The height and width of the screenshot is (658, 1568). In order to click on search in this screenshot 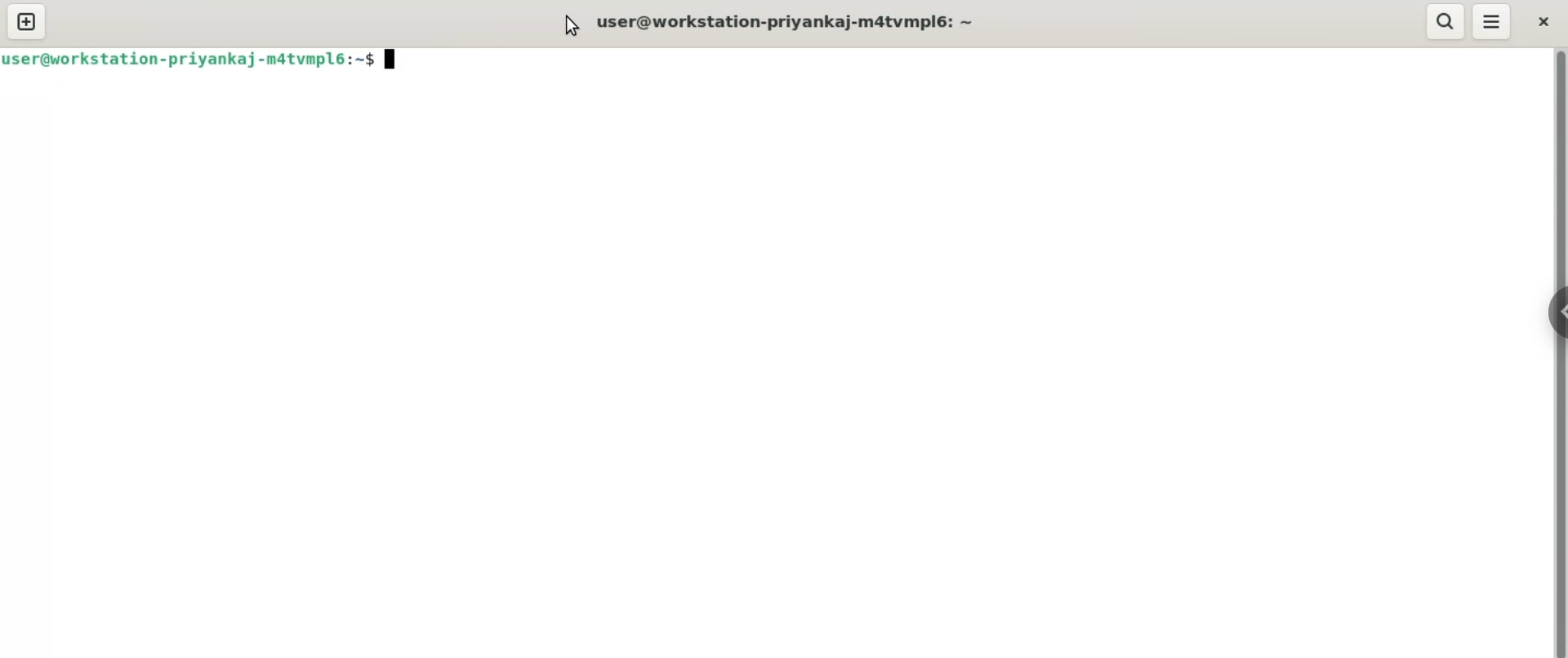, I will do `click(1444, 21)`.